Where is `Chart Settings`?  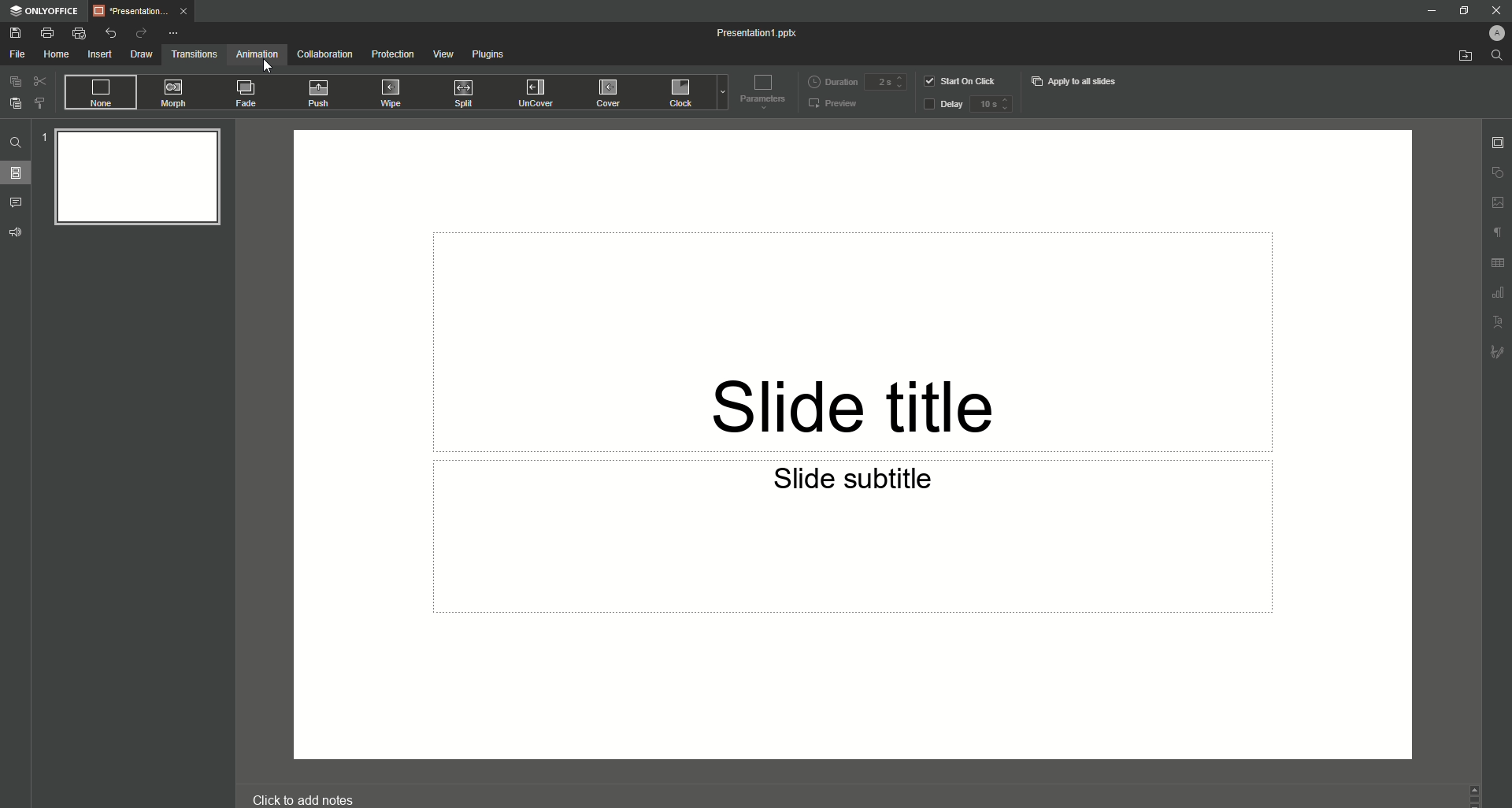
Chart Settings is located at coordinates (1497, 295).